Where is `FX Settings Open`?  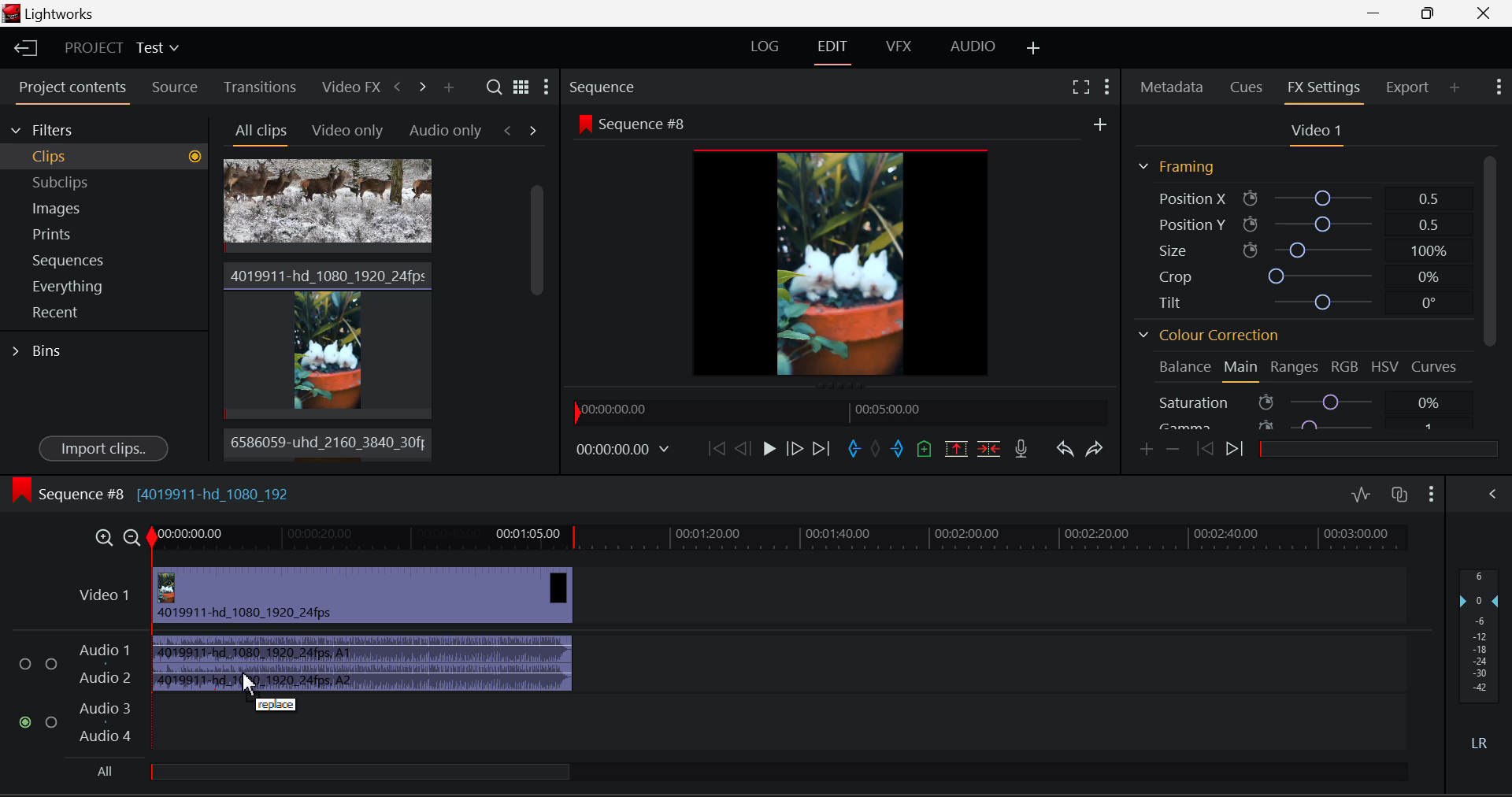
FX Settings Open is located at coordinates (1326, 89).